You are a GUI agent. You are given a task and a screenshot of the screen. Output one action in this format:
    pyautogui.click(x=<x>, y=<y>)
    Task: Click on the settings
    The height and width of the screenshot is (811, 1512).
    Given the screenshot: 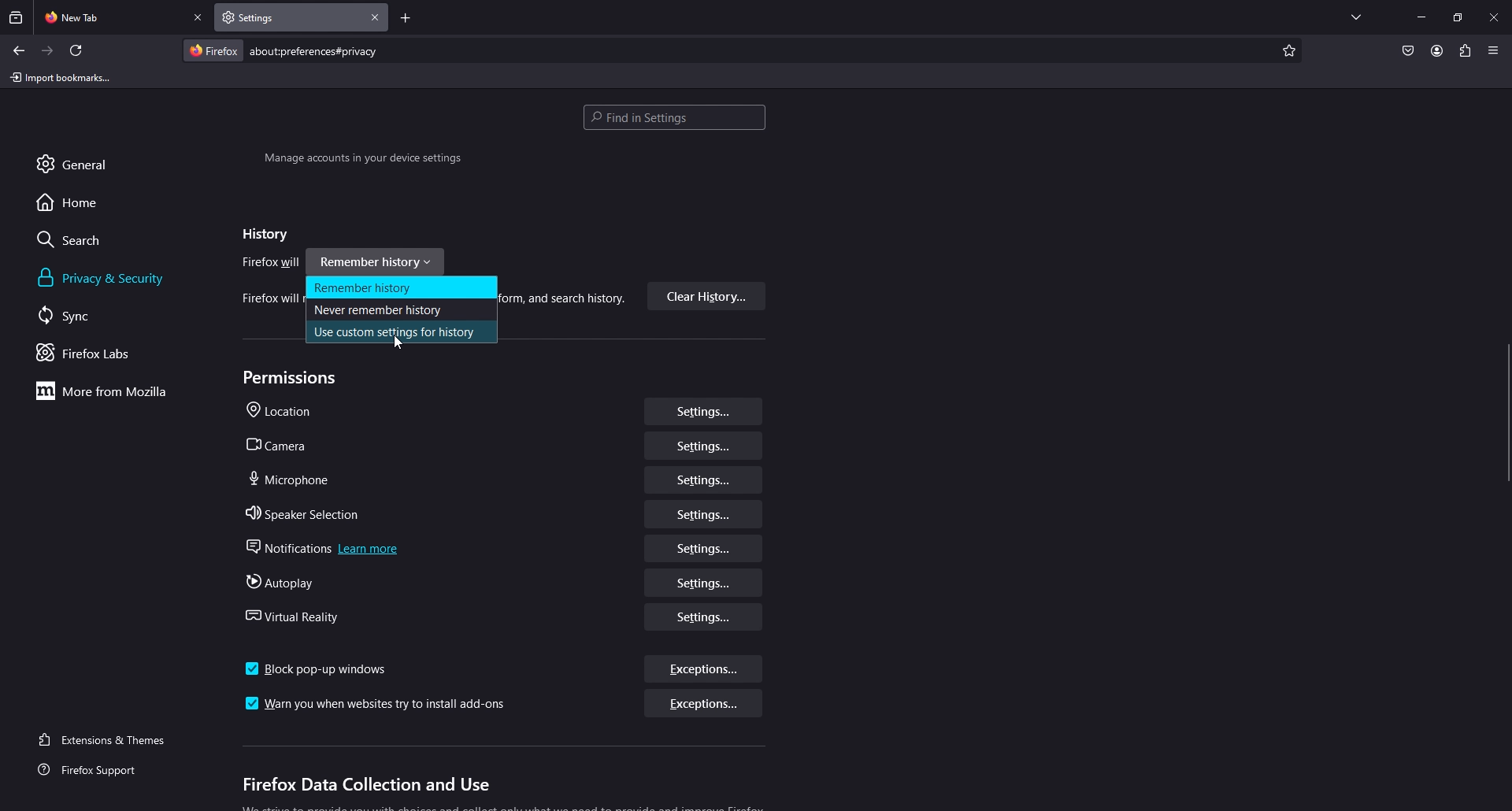 What is the action you would take?
    pyautogui.click(x=705, y=446)
    